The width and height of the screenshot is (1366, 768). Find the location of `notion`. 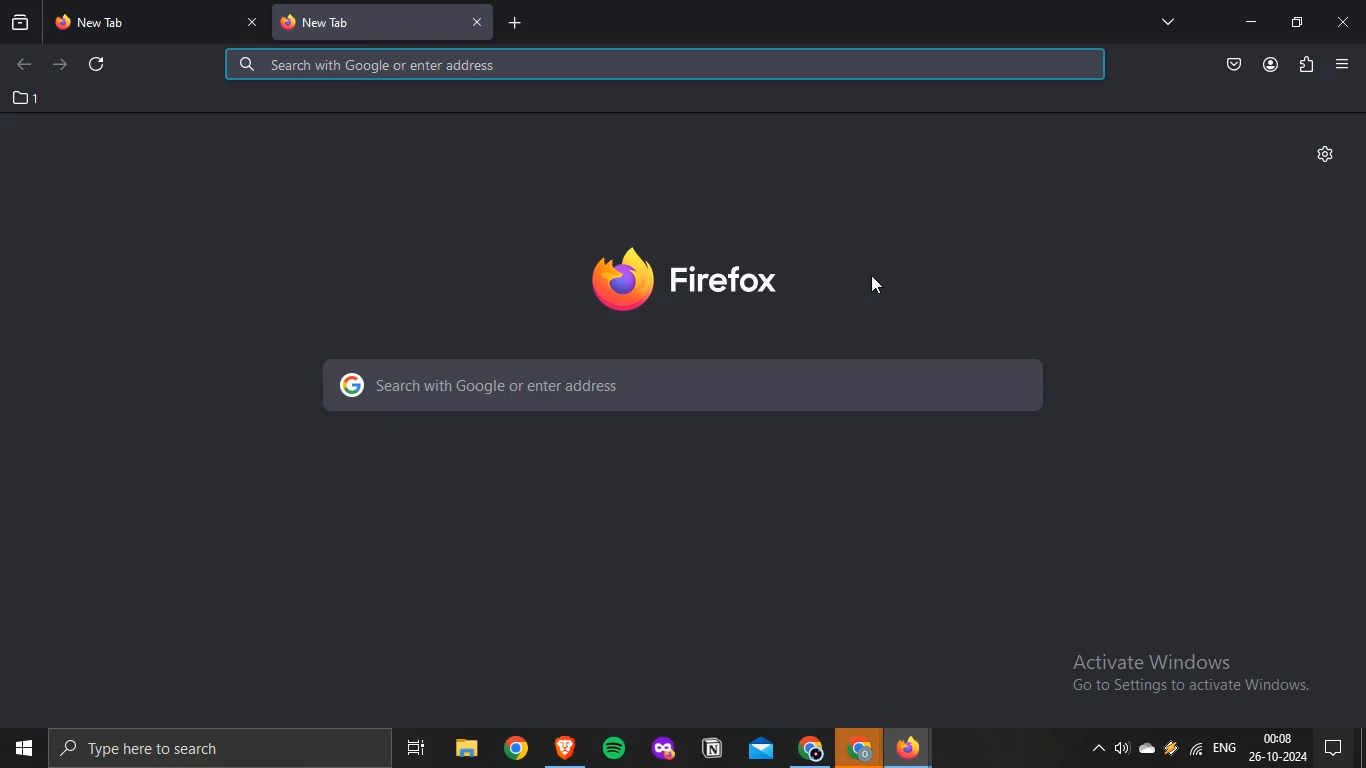

notion is located at coordinates (709, 745).